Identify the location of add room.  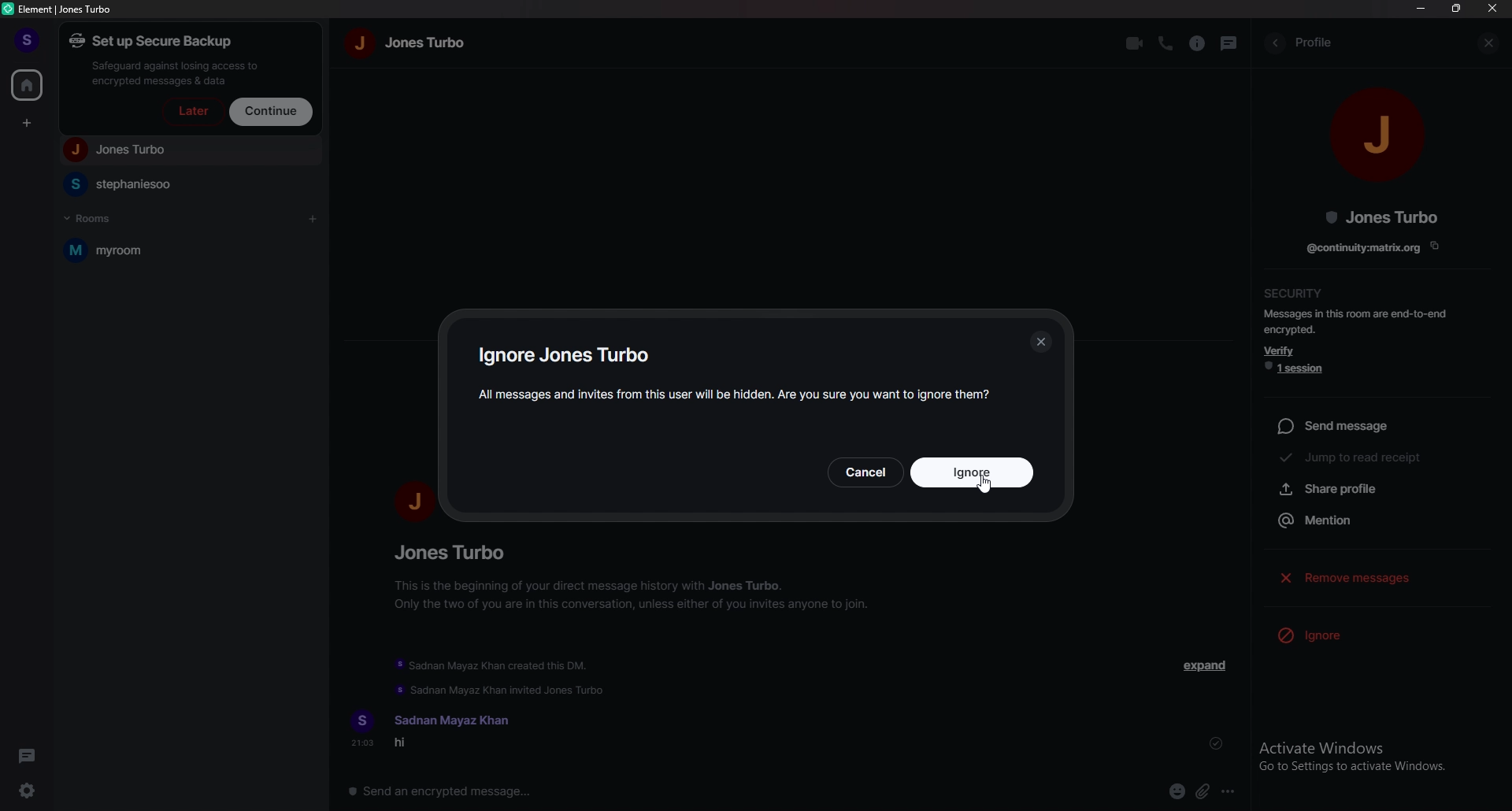
(312, 220).